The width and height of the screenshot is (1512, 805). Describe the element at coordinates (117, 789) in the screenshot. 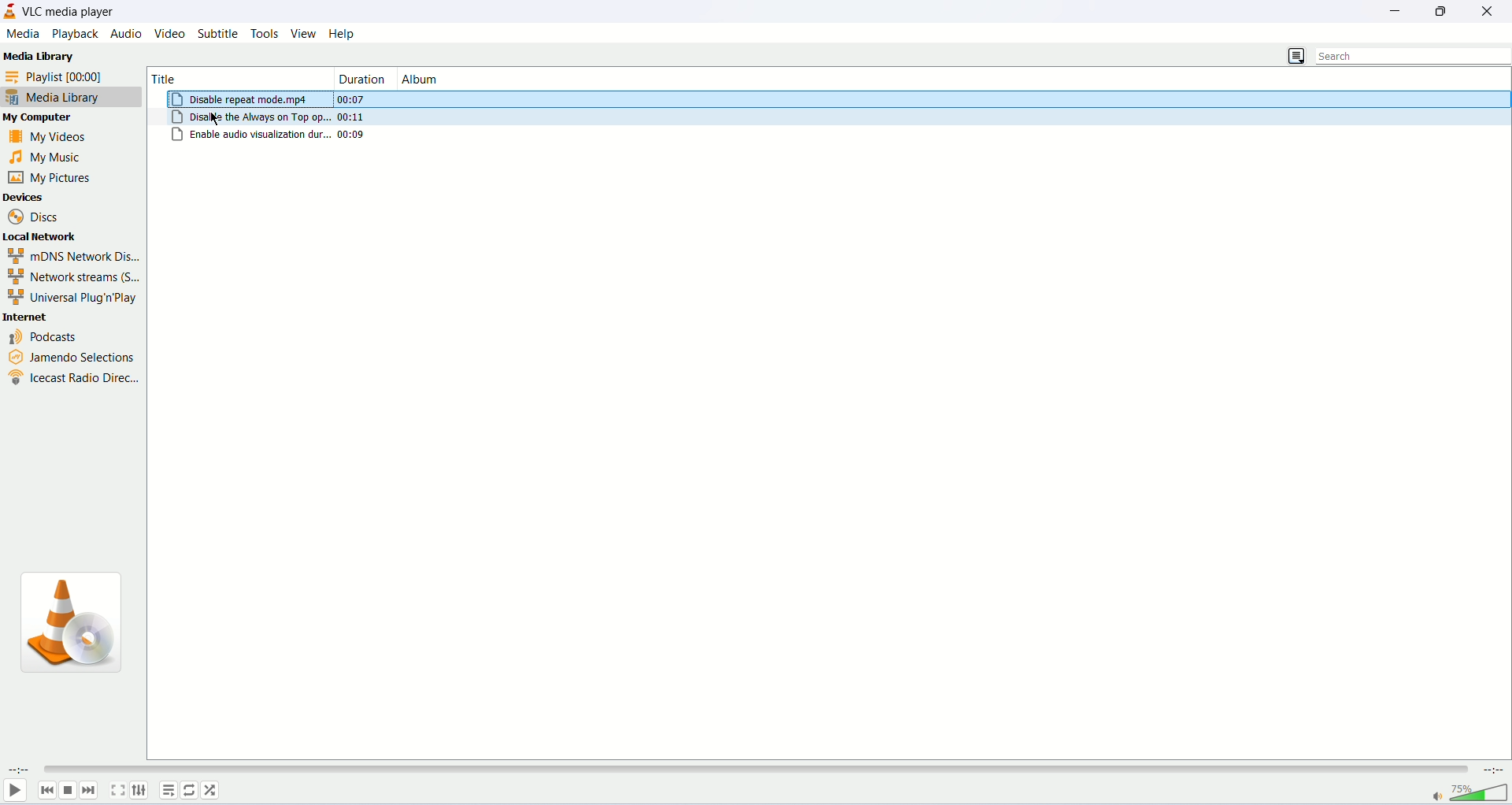

I see `fullscreen` at that location.